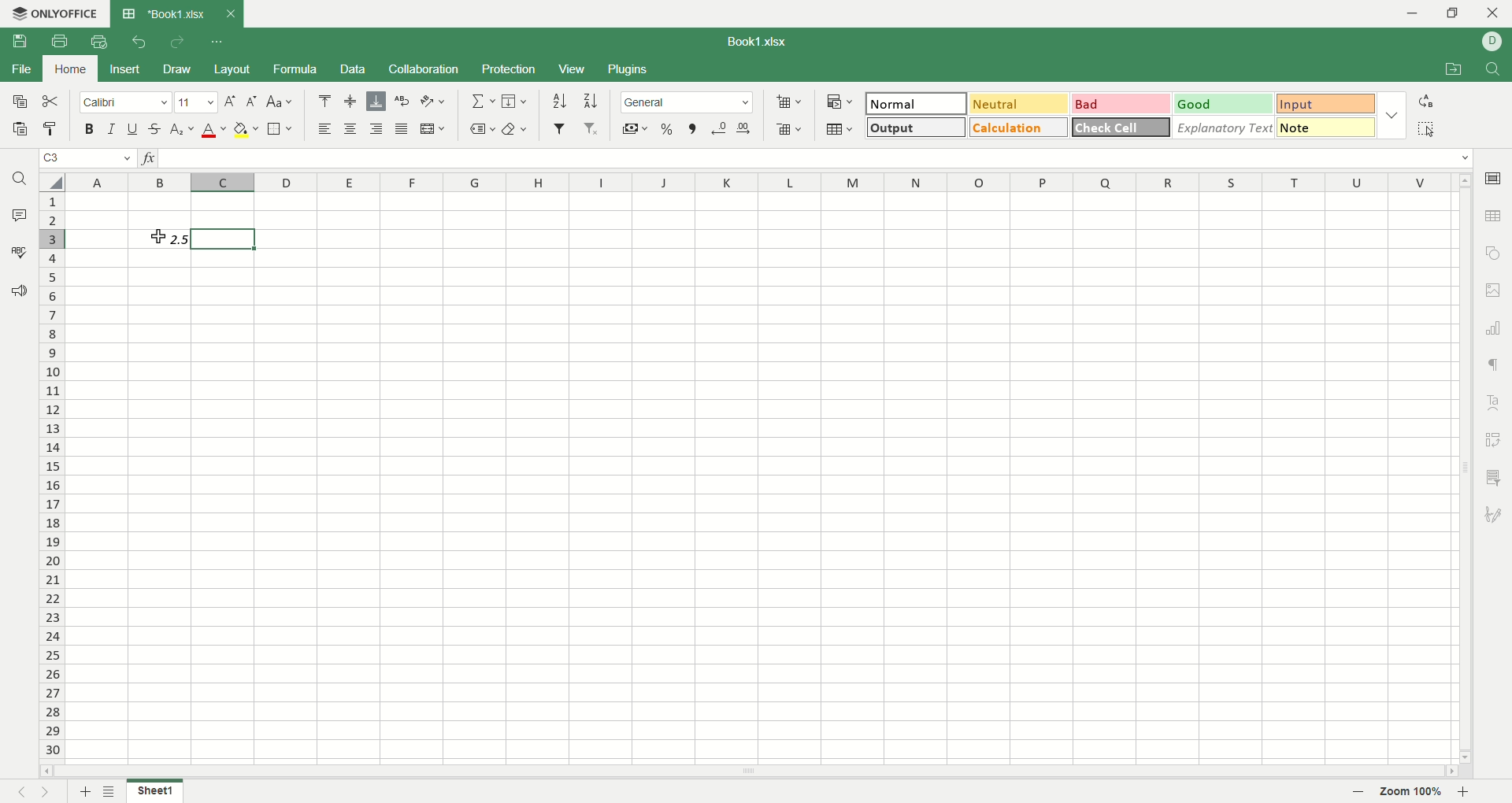  What do you see at coordinates (1494, 177) in the screenshot?
I see `cell setting` at bounding box center [1494, 177].